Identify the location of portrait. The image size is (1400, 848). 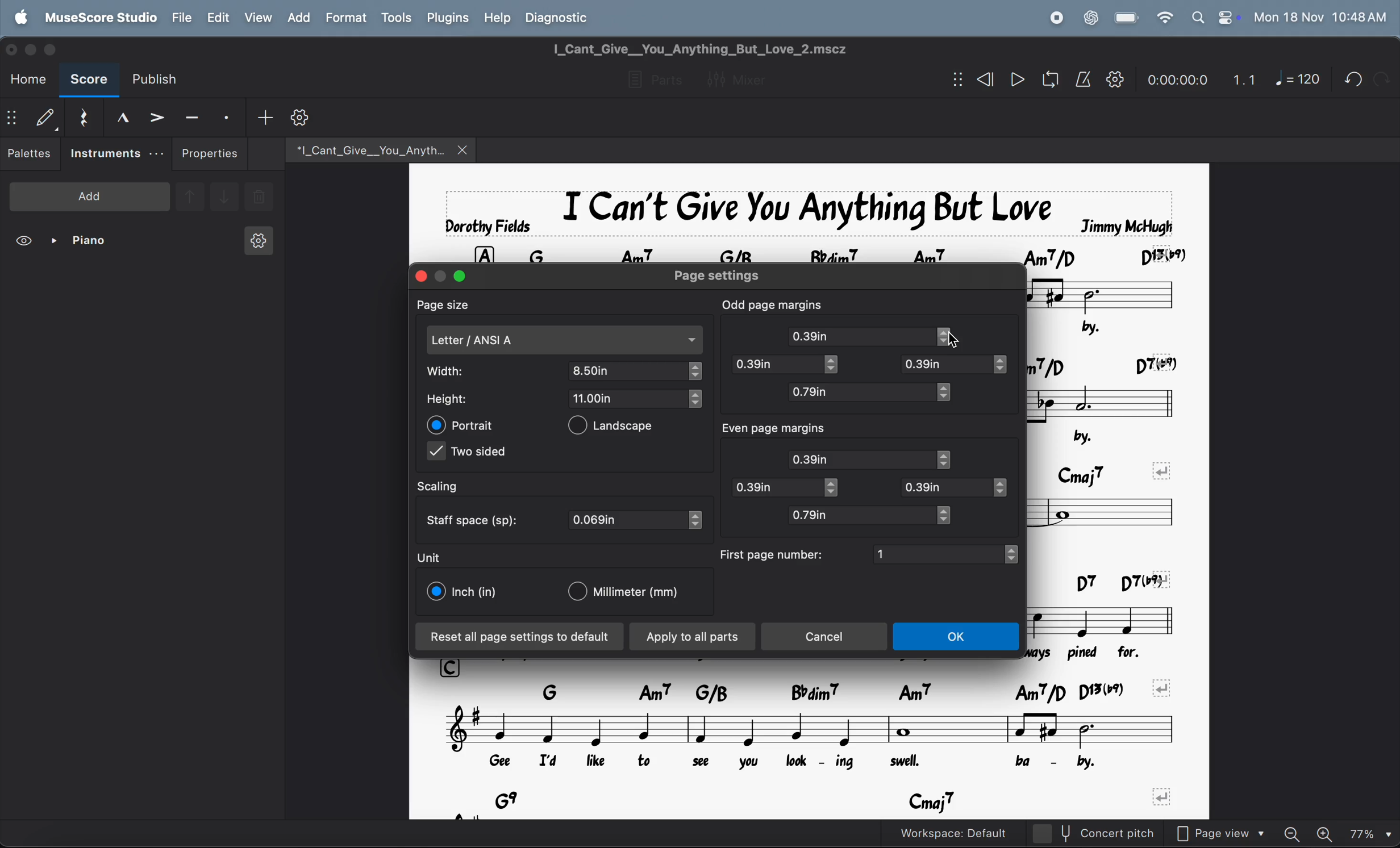
(463, 425).